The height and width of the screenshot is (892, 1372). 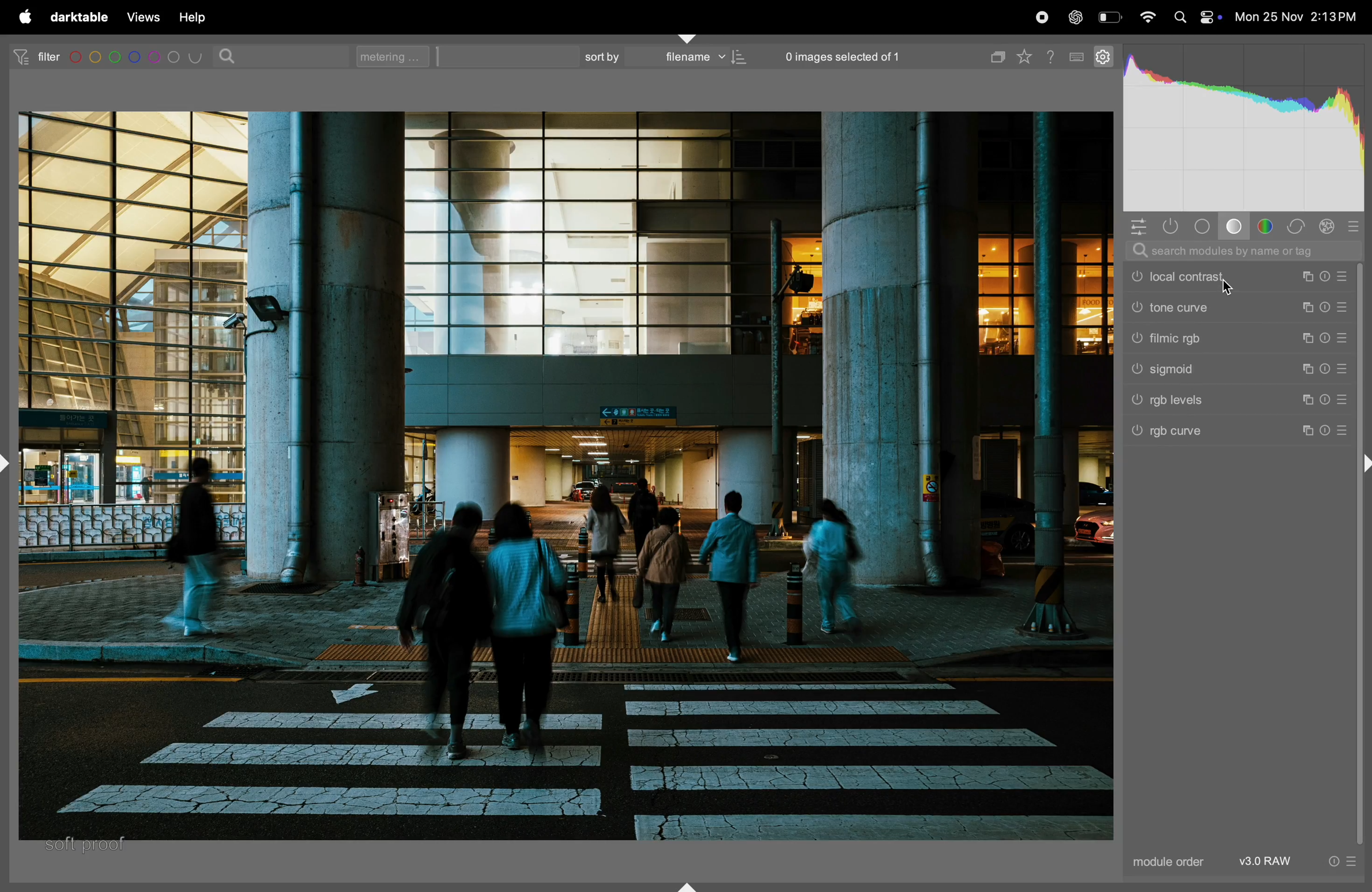 I want to click on shift+ctrl+r, so click(x=1363, y=466).